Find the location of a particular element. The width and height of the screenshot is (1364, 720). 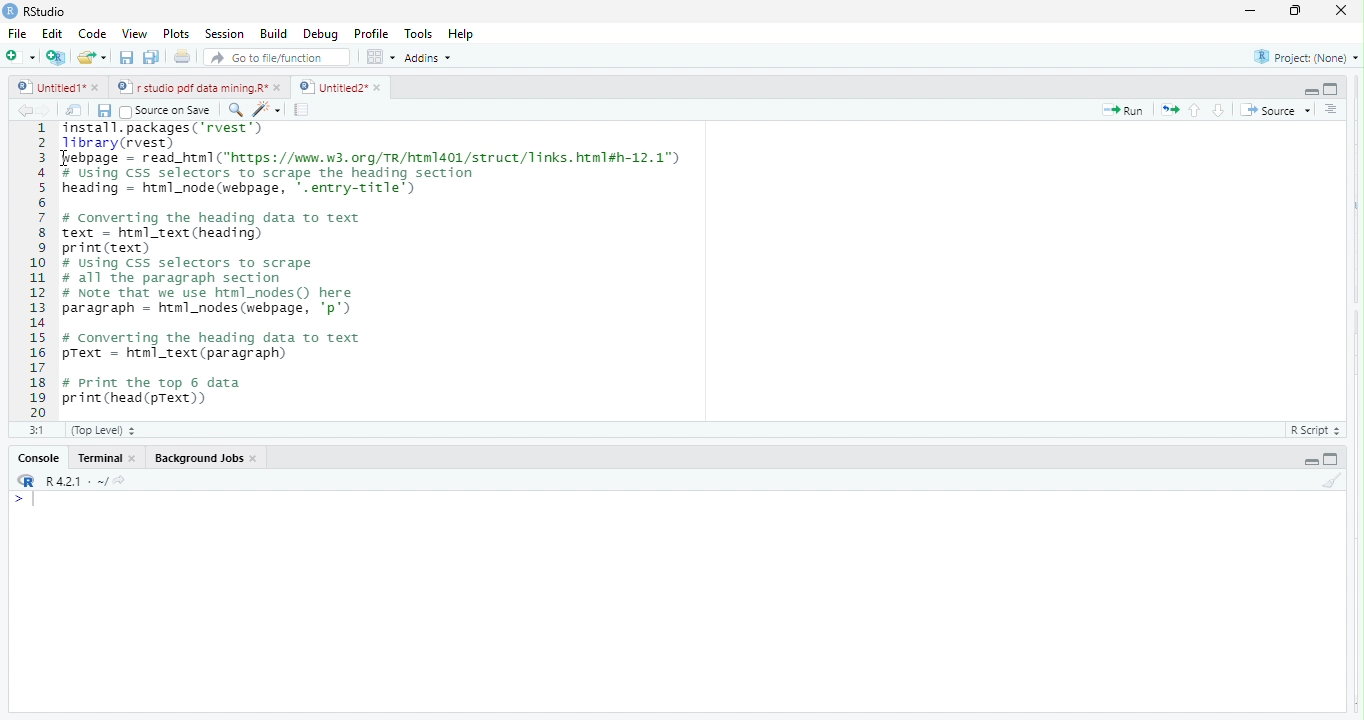

File is located at coordinates (17, 34).